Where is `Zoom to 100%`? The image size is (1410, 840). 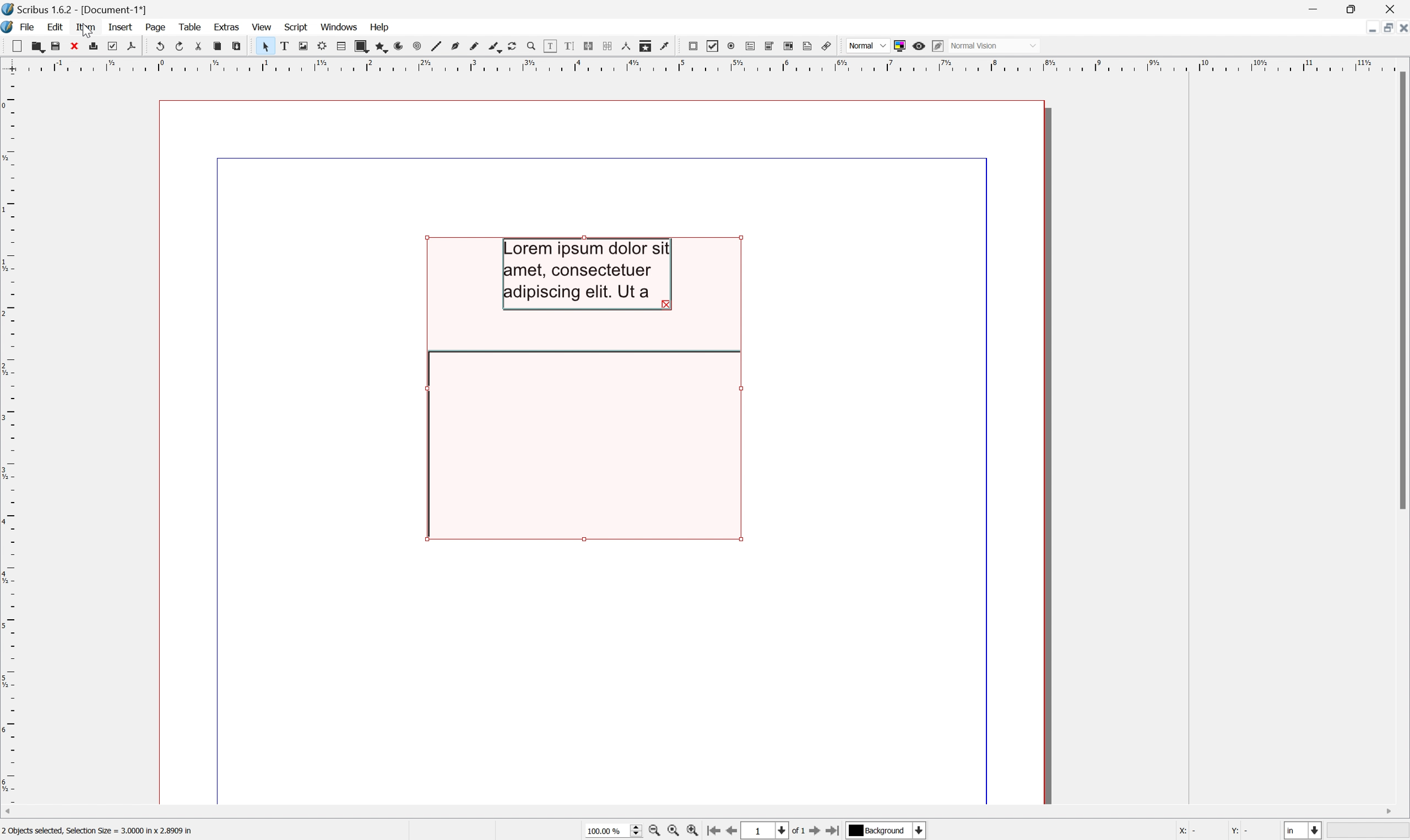 Zoom to 100% is located at coordinates (676, 832).